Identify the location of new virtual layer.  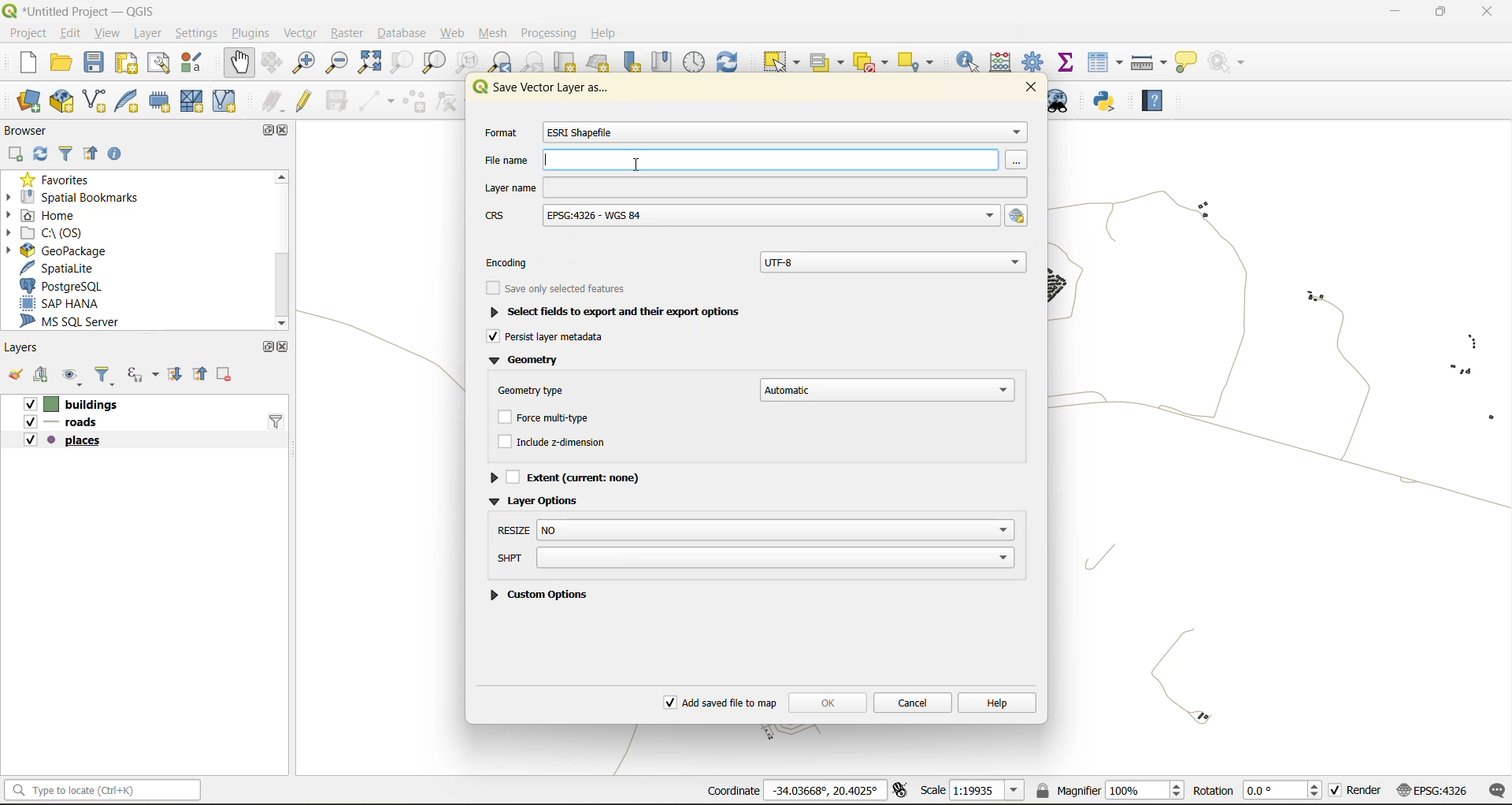
(228, 102).